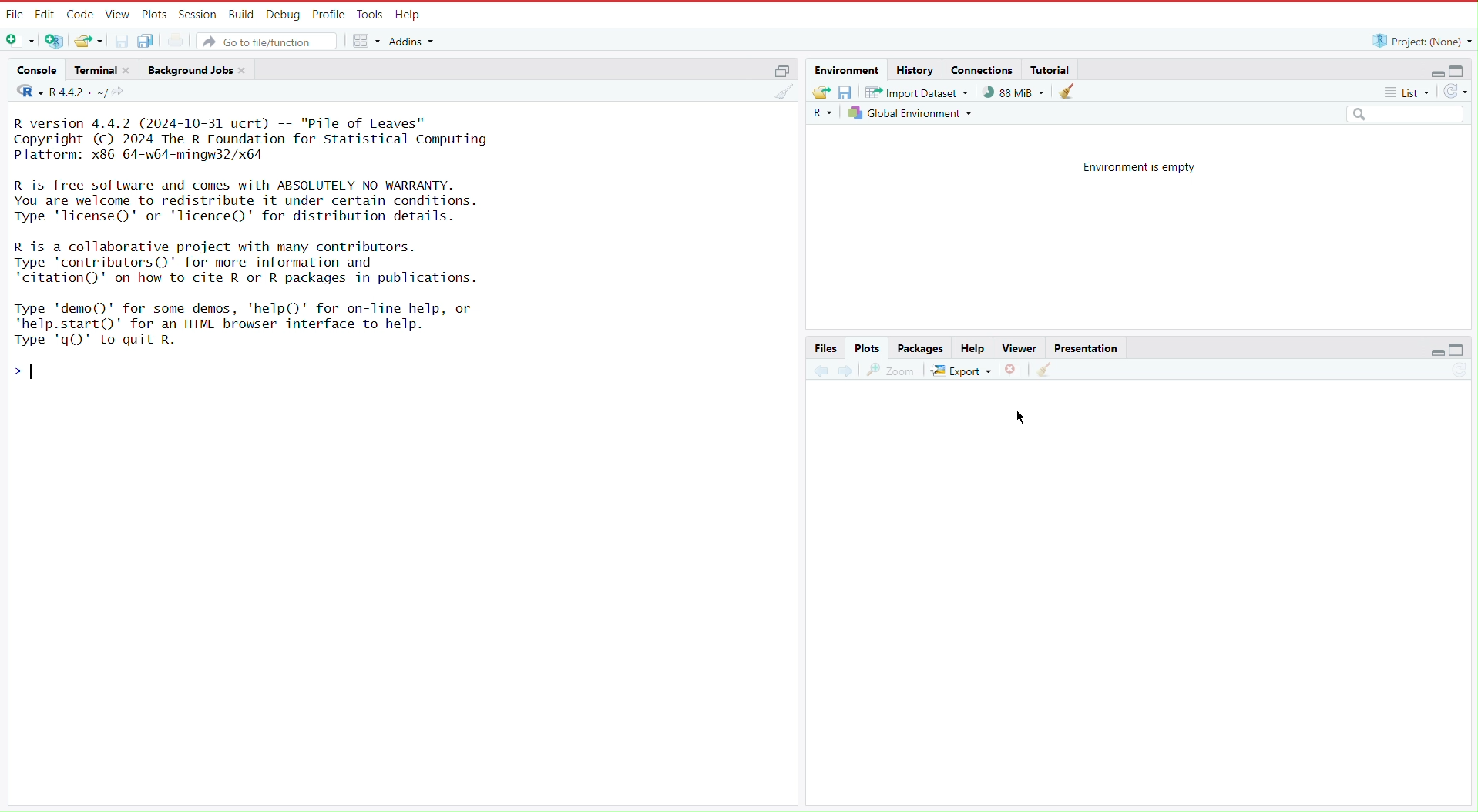  What do you see at coordinates (79, 92) in the screenshot?
I see `R.4.4.2~/` at bounding box center [79, 92].